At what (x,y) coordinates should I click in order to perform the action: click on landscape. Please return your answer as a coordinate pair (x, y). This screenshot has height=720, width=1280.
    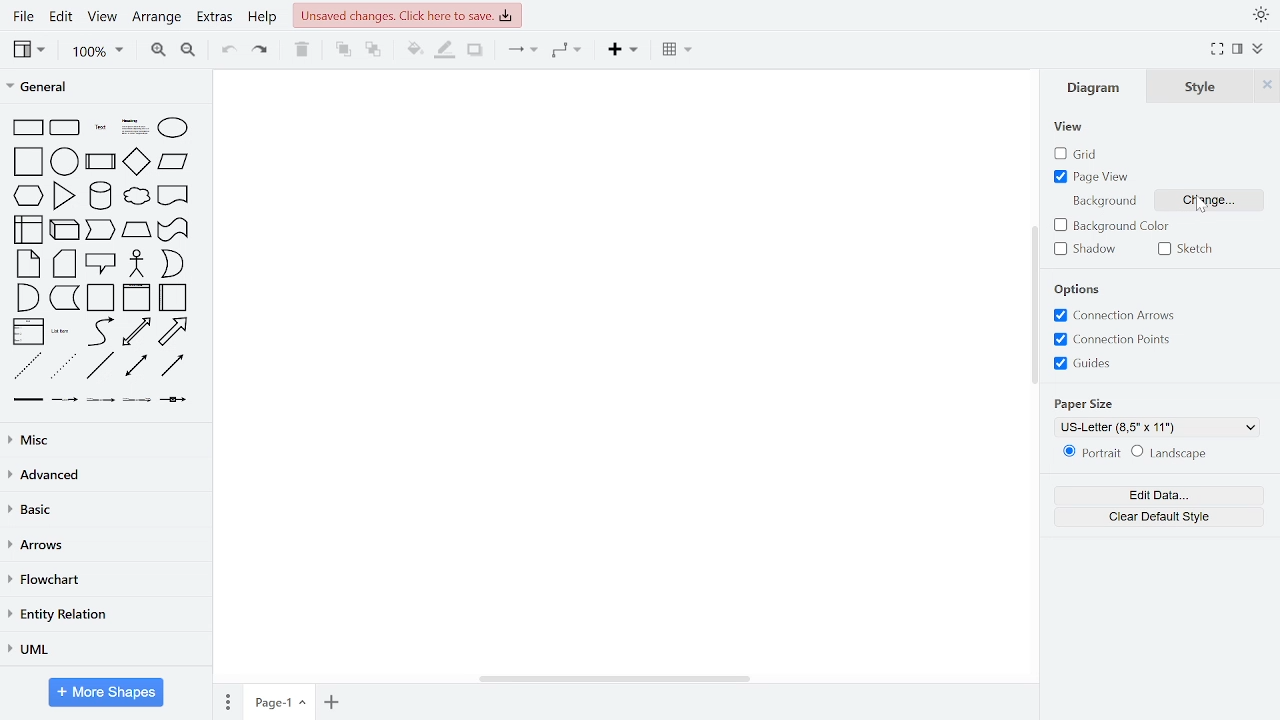
    Looking at the image, I should click on (1171, 453).